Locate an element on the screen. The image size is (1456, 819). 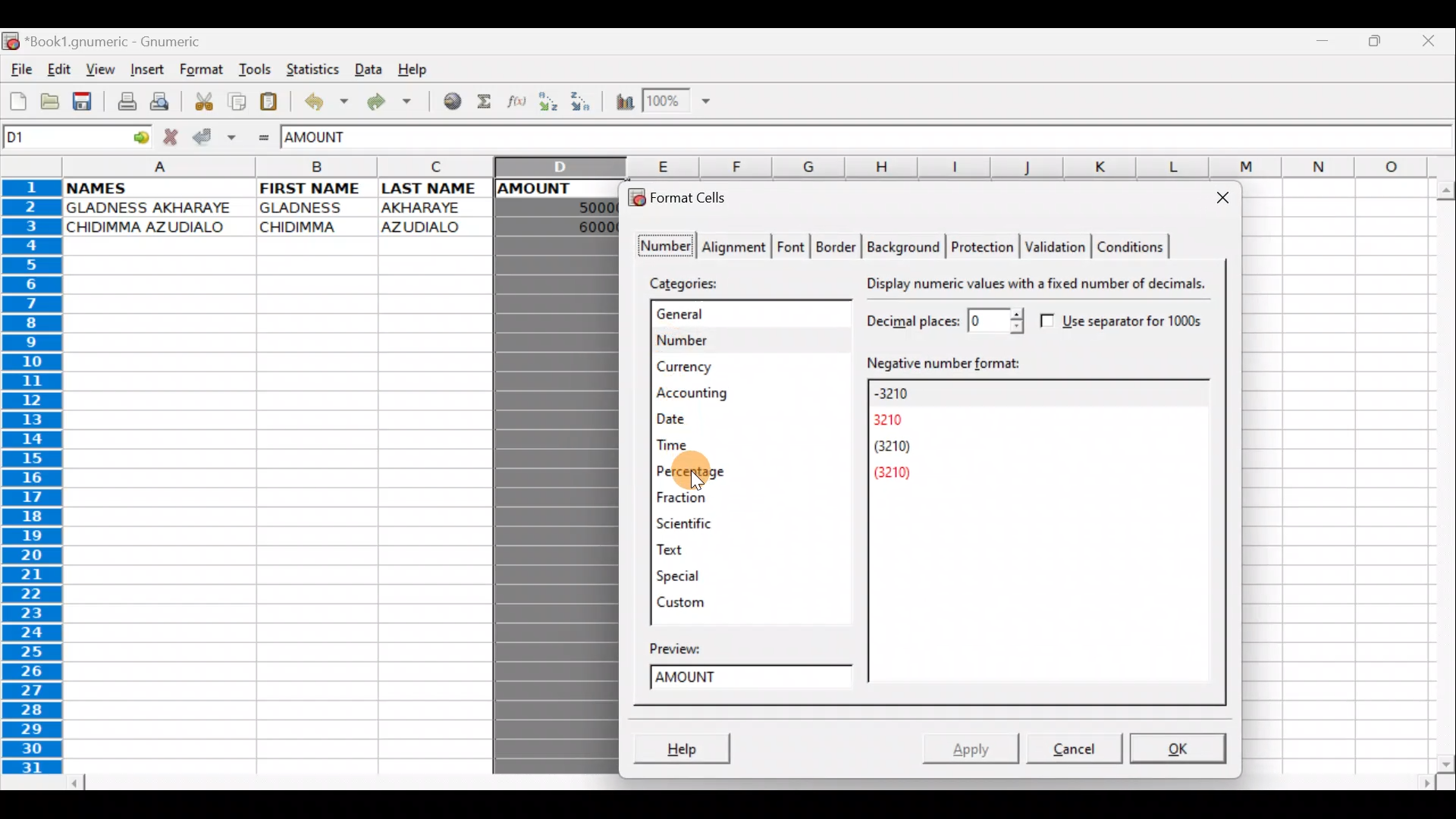
Print preview is located at coordinates (162, 101).